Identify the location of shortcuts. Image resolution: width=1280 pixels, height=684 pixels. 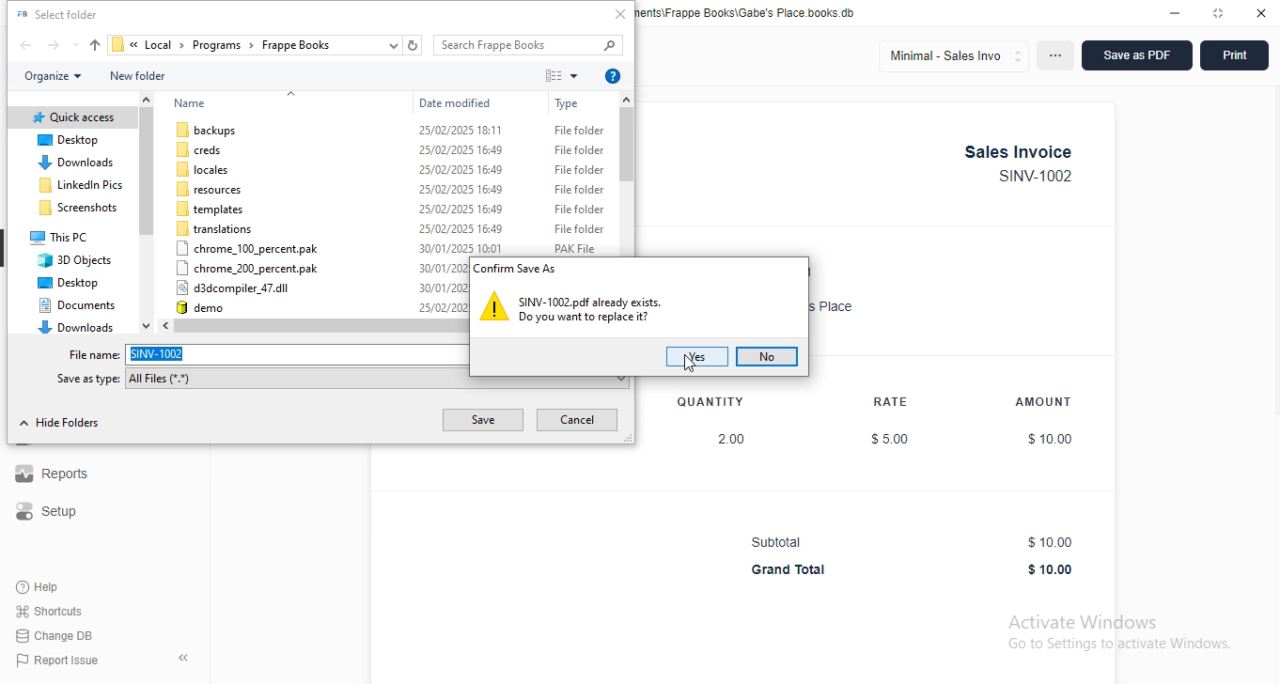
(50, 611).